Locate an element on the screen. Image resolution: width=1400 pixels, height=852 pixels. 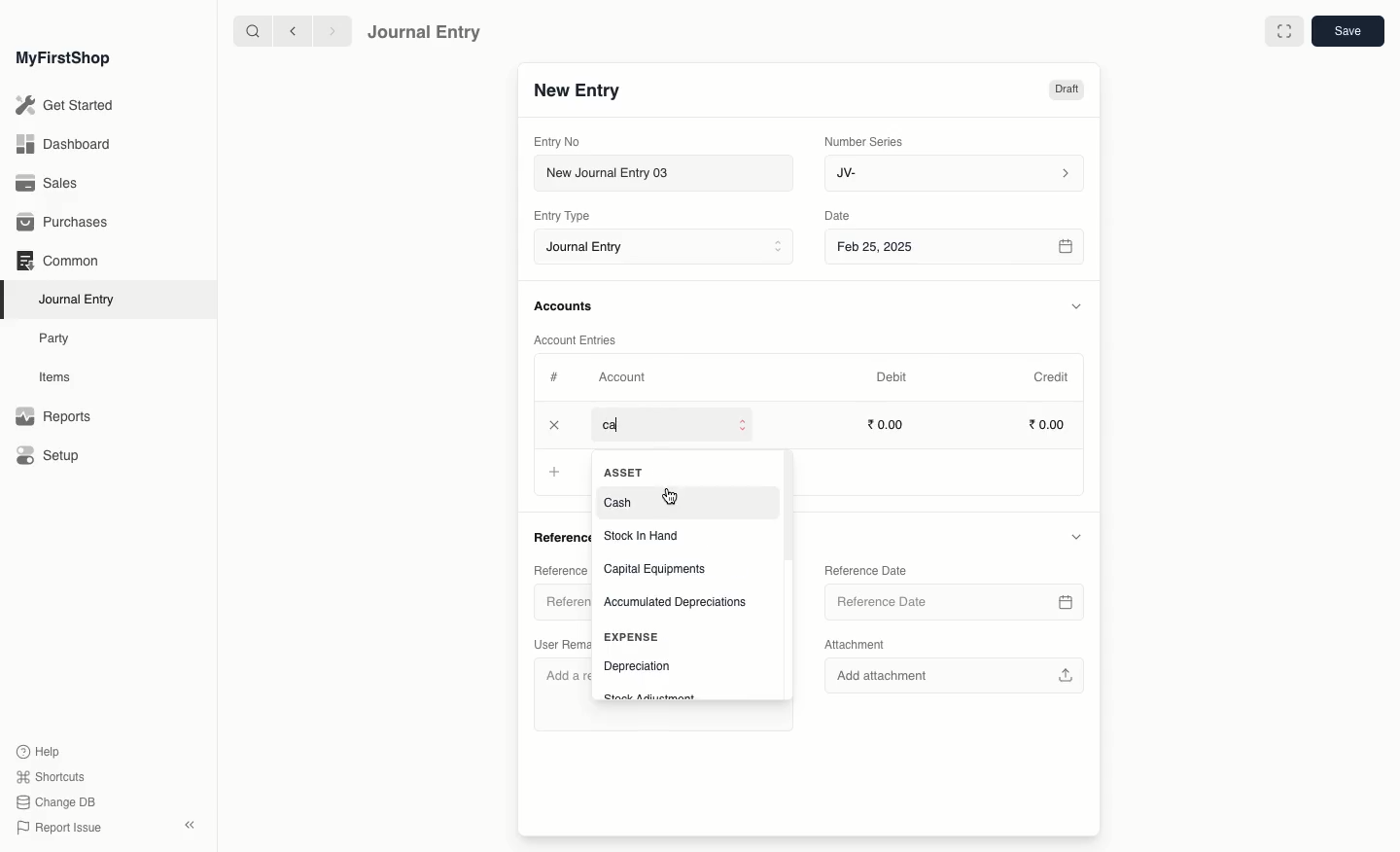
Reference Date is located at coordinates (954, 601).